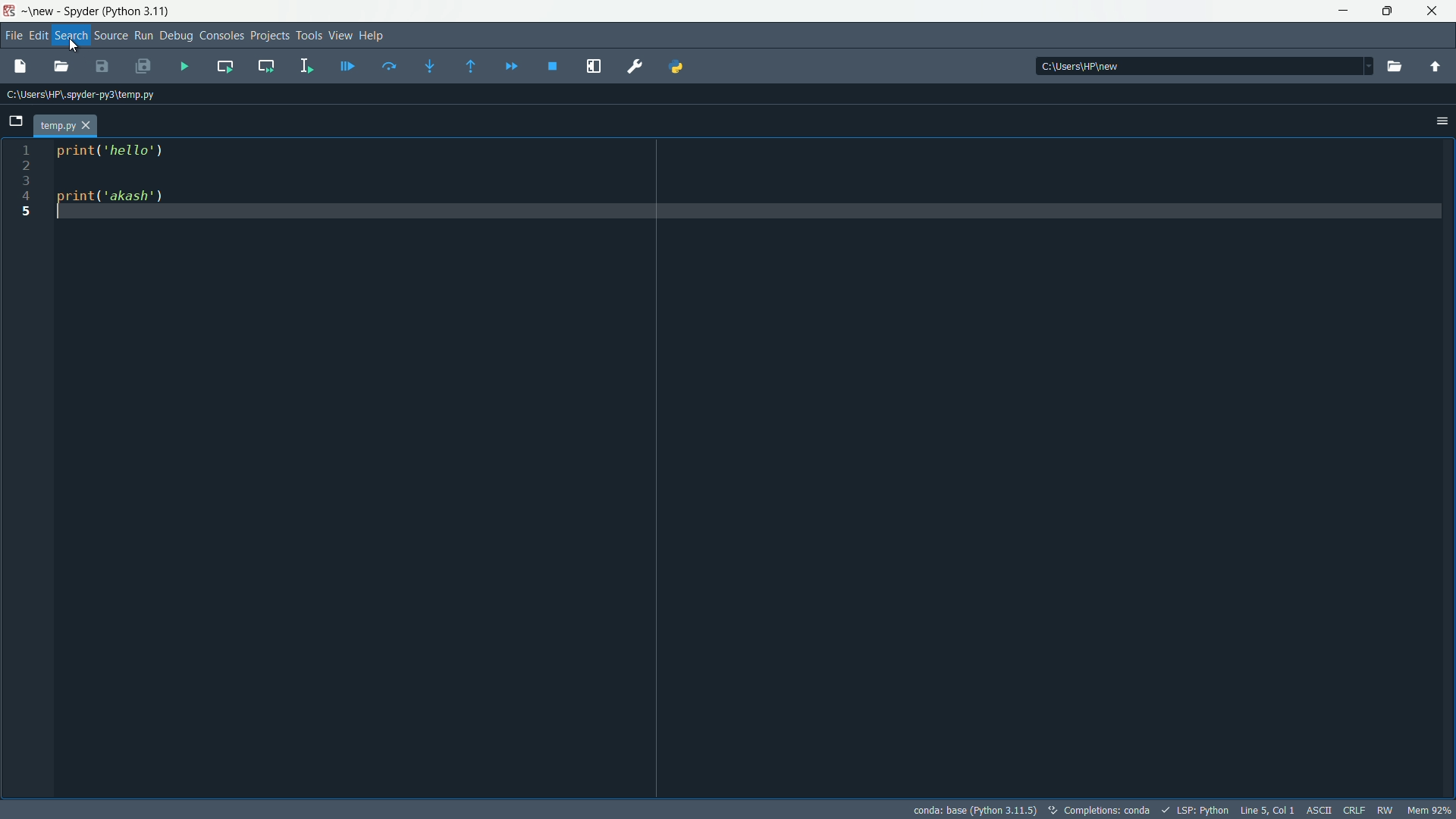 This screenshot has height=819, width=1456. I want to click on save file, so click(143, 64).